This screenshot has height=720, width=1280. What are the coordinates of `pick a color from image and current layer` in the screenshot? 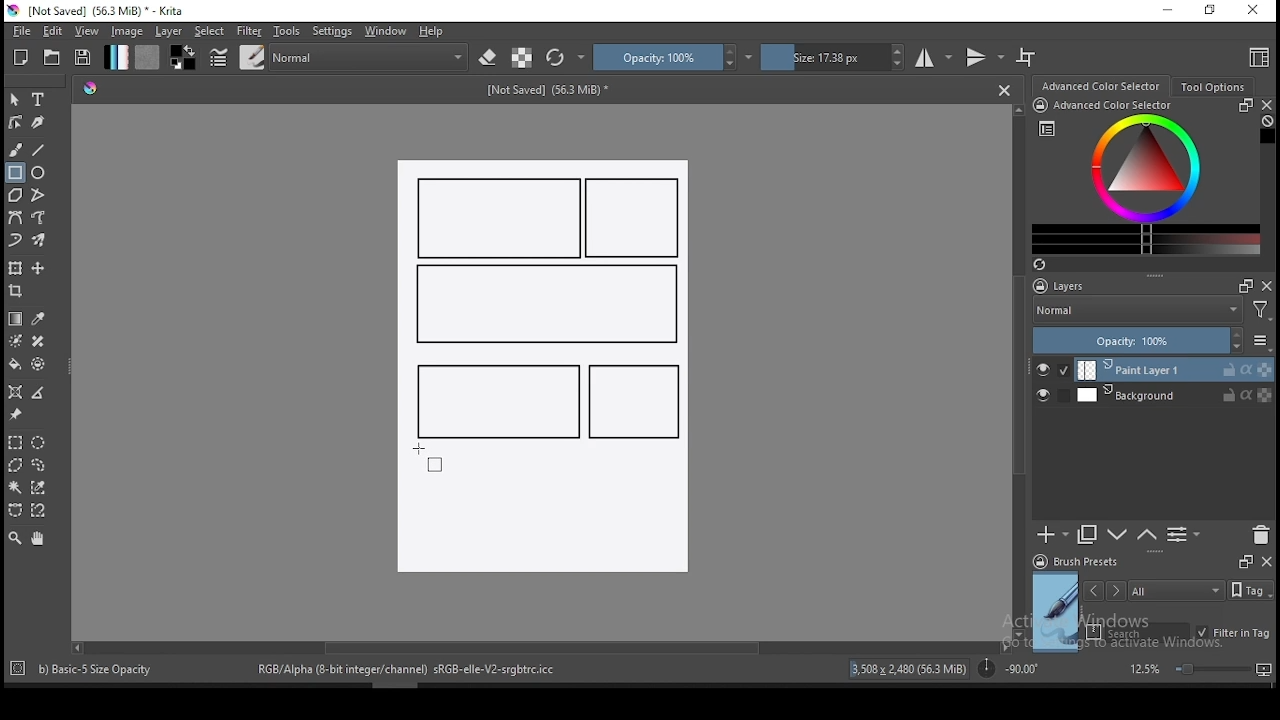 It's located at (39, 319).